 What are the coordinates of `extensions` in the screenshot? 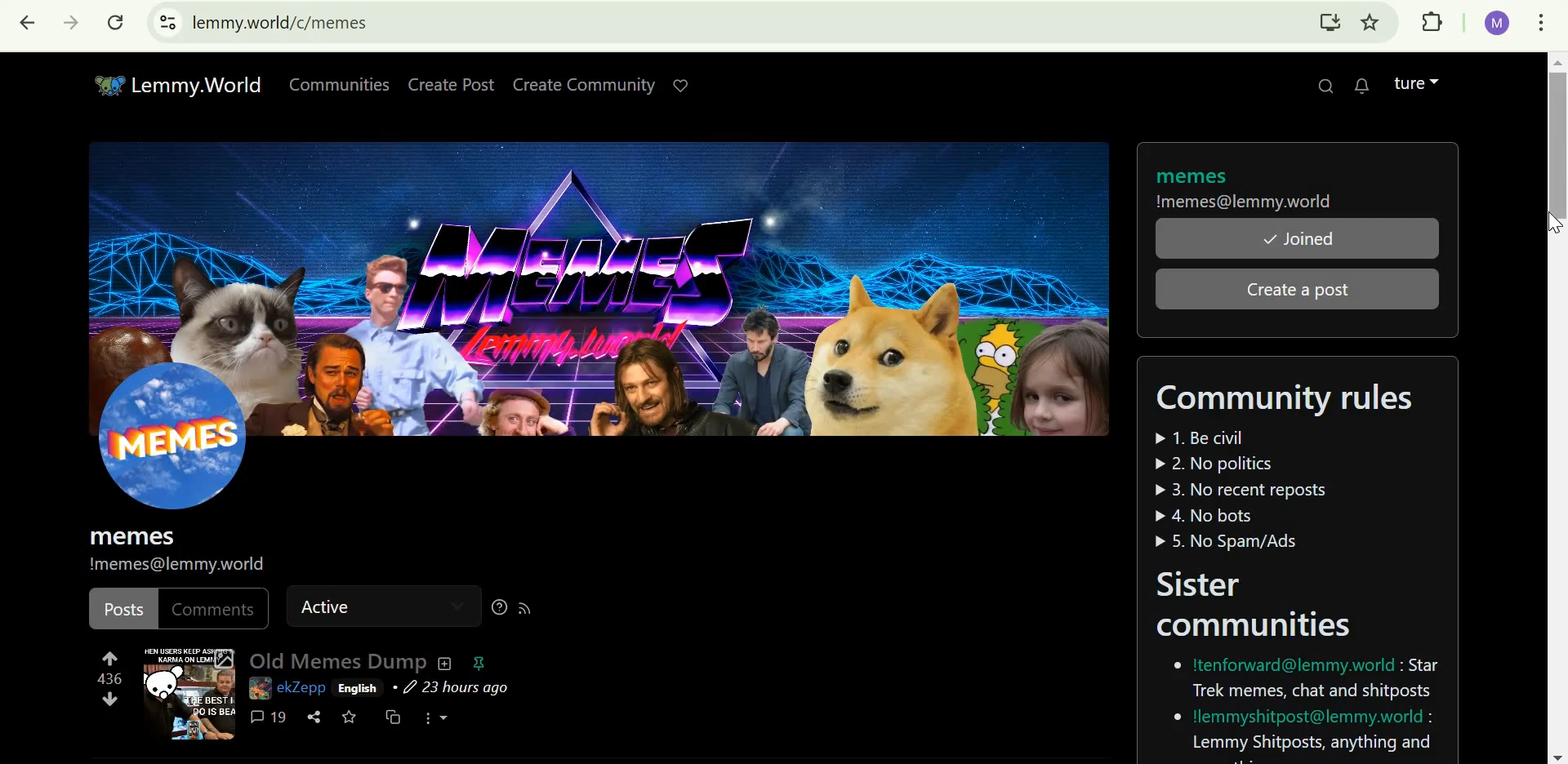 It's located at (1434, 24).